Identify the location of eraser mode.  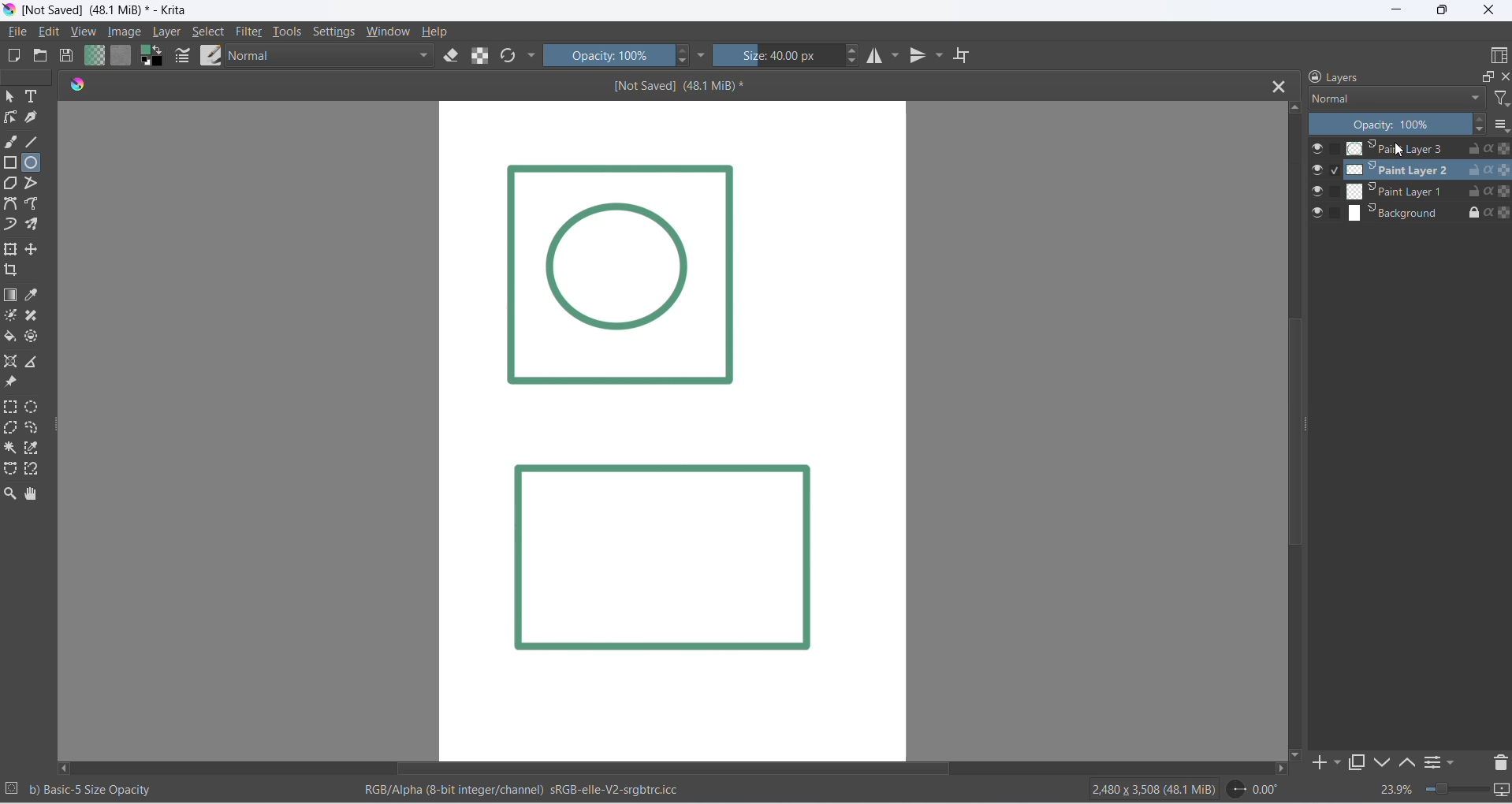
(452, 57).